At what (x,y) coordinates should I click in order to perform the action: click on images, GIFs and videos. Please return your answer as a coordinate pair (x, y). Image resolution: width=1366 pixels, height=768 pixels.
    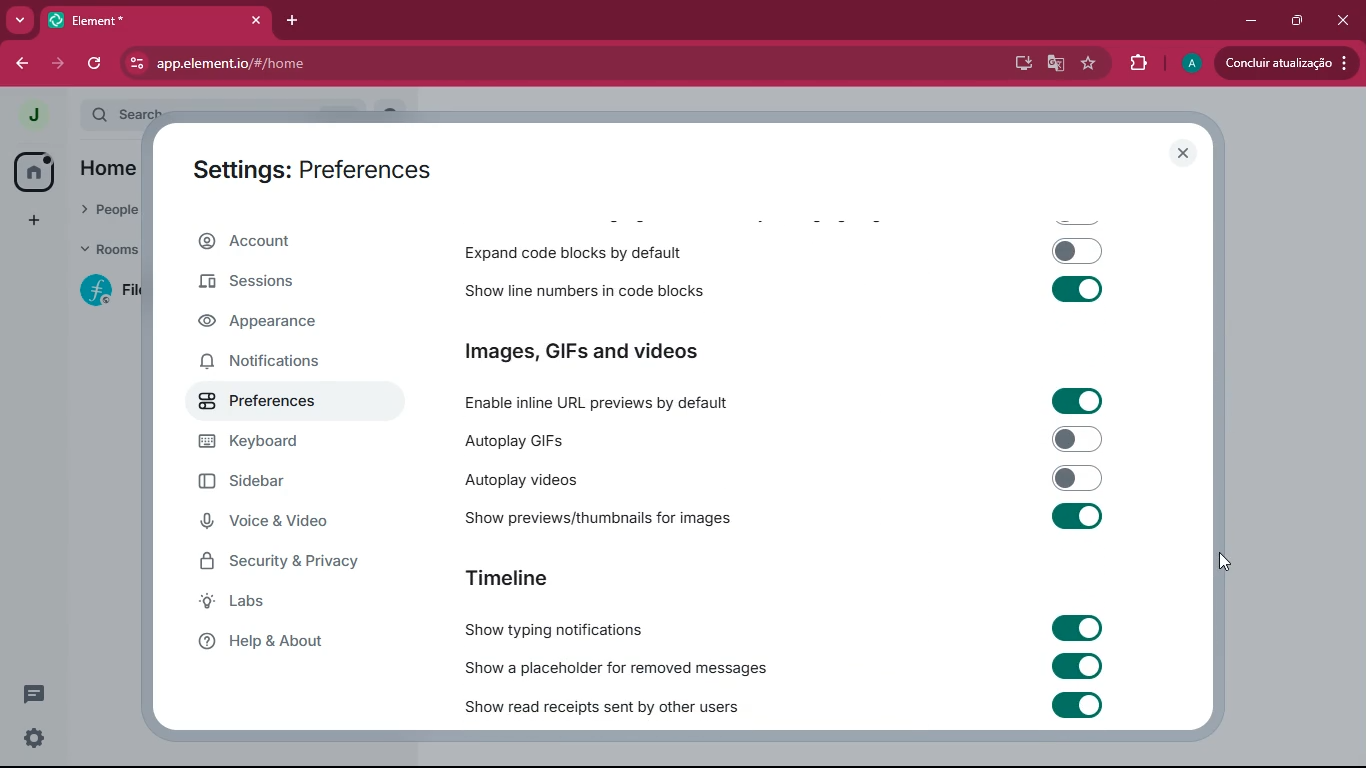
    Looking at the image, I should click on (610, 353).